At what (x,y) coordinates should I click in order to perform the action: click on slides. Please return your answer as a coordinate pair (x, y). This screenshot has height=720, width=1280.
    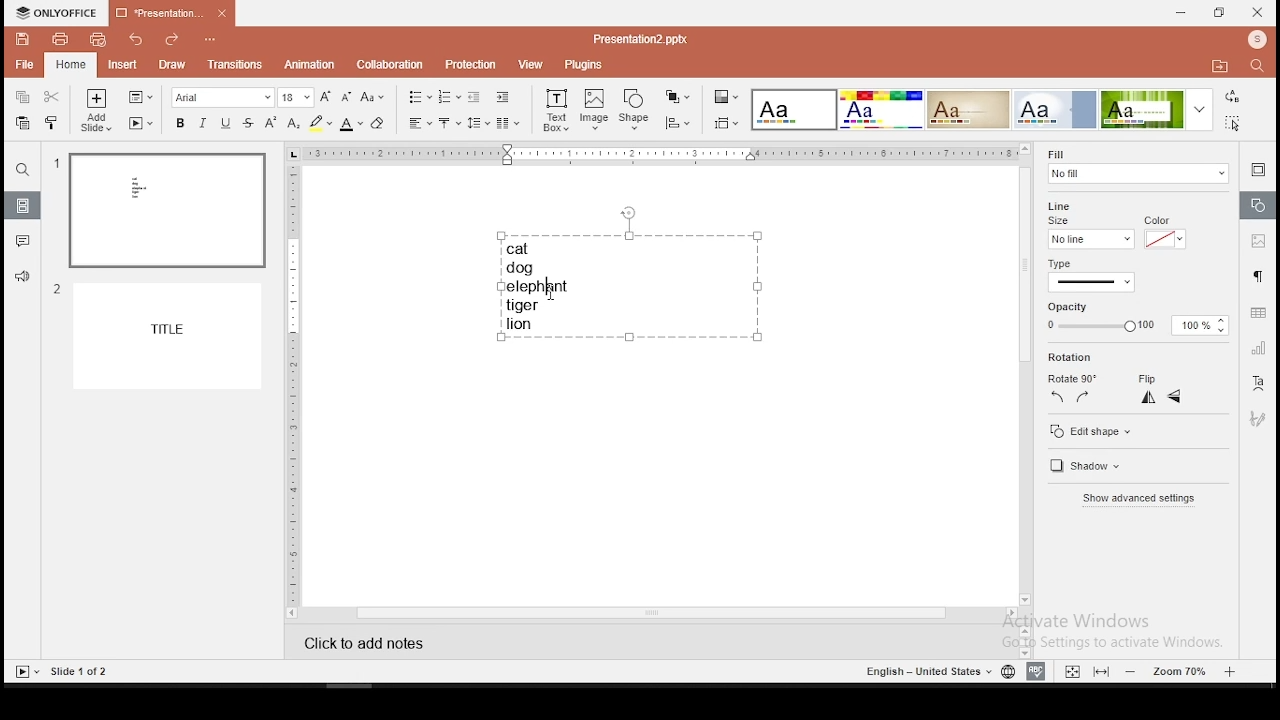
    Looking at the image, I should click on (22, 206).